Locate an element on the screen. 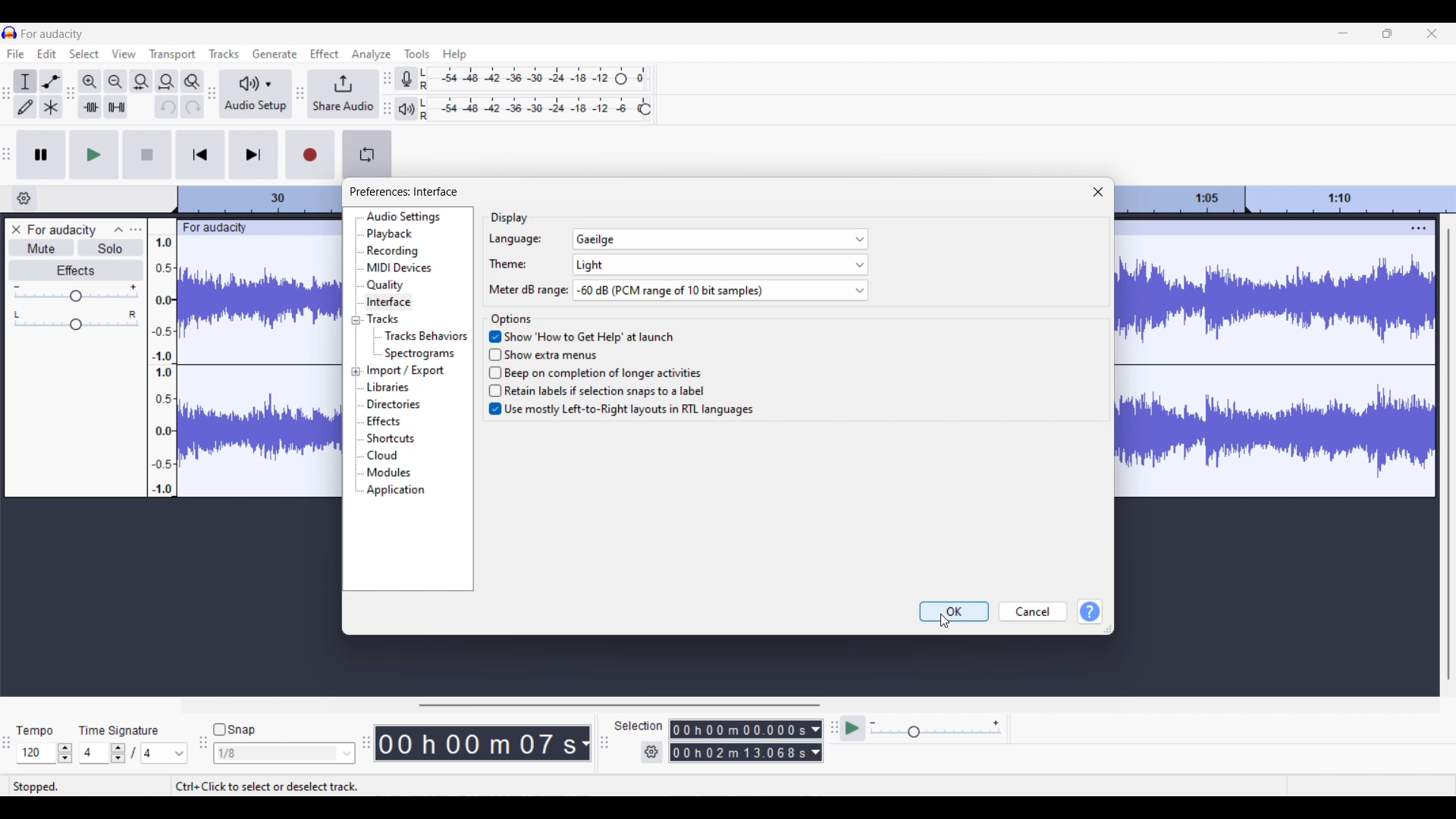 Image resolution: width=1456 pixels, height=819 pixels. options is located at coordinates (510, 319).